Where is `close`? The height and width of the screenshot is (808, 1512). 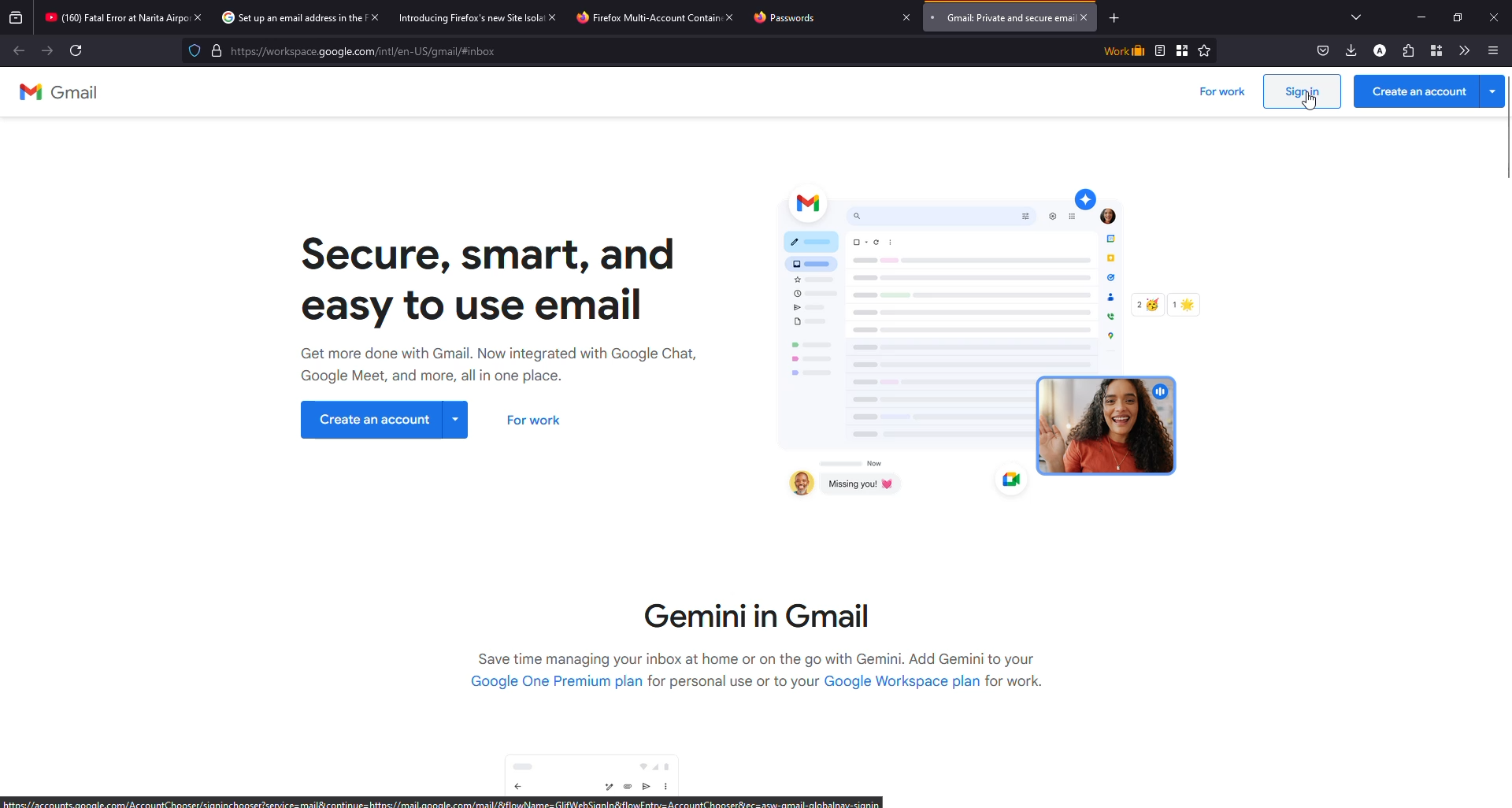
close is located at coordinates (554, 17).